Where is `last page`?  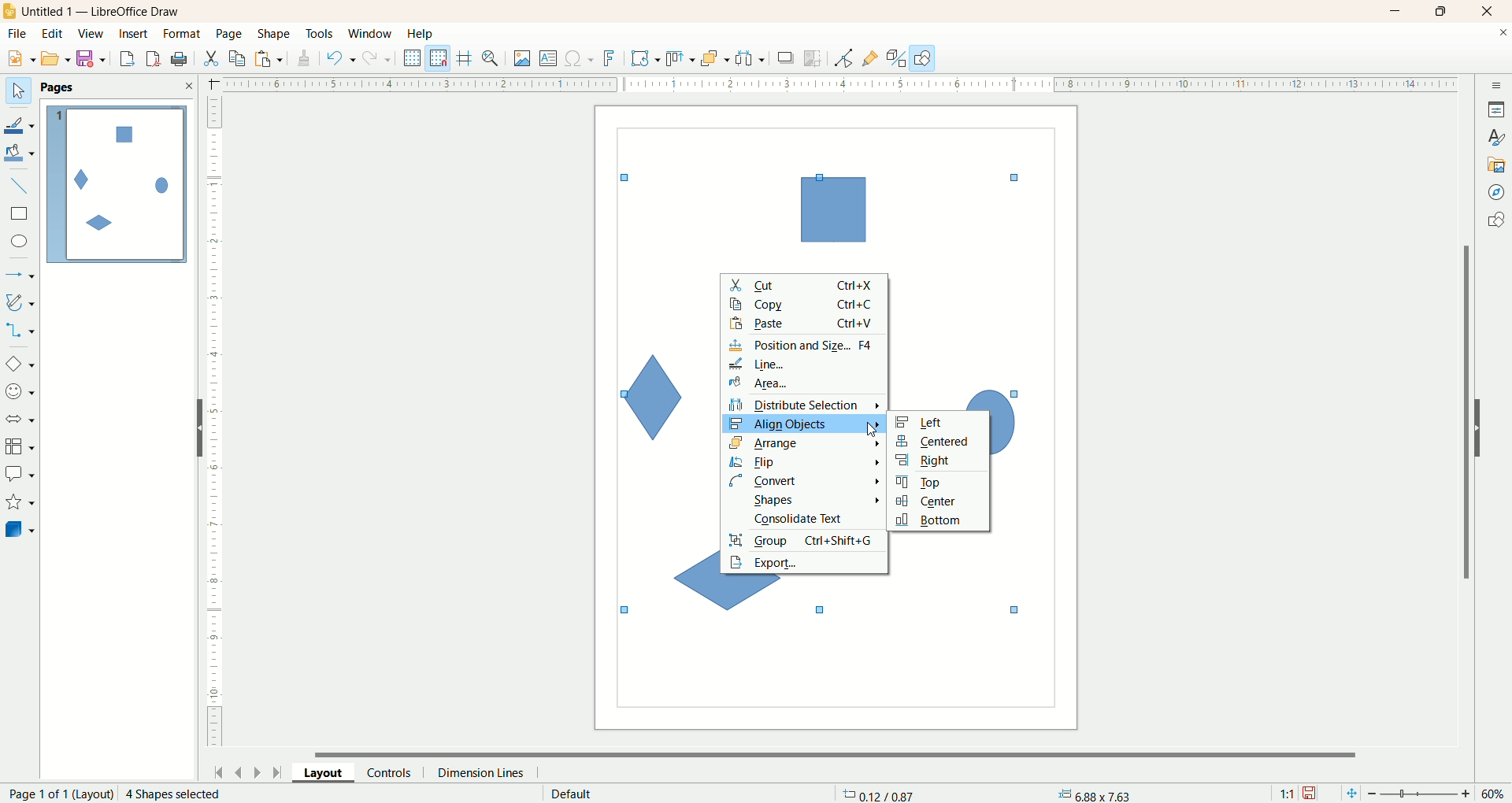 last page is located at coordinates (280, 771).